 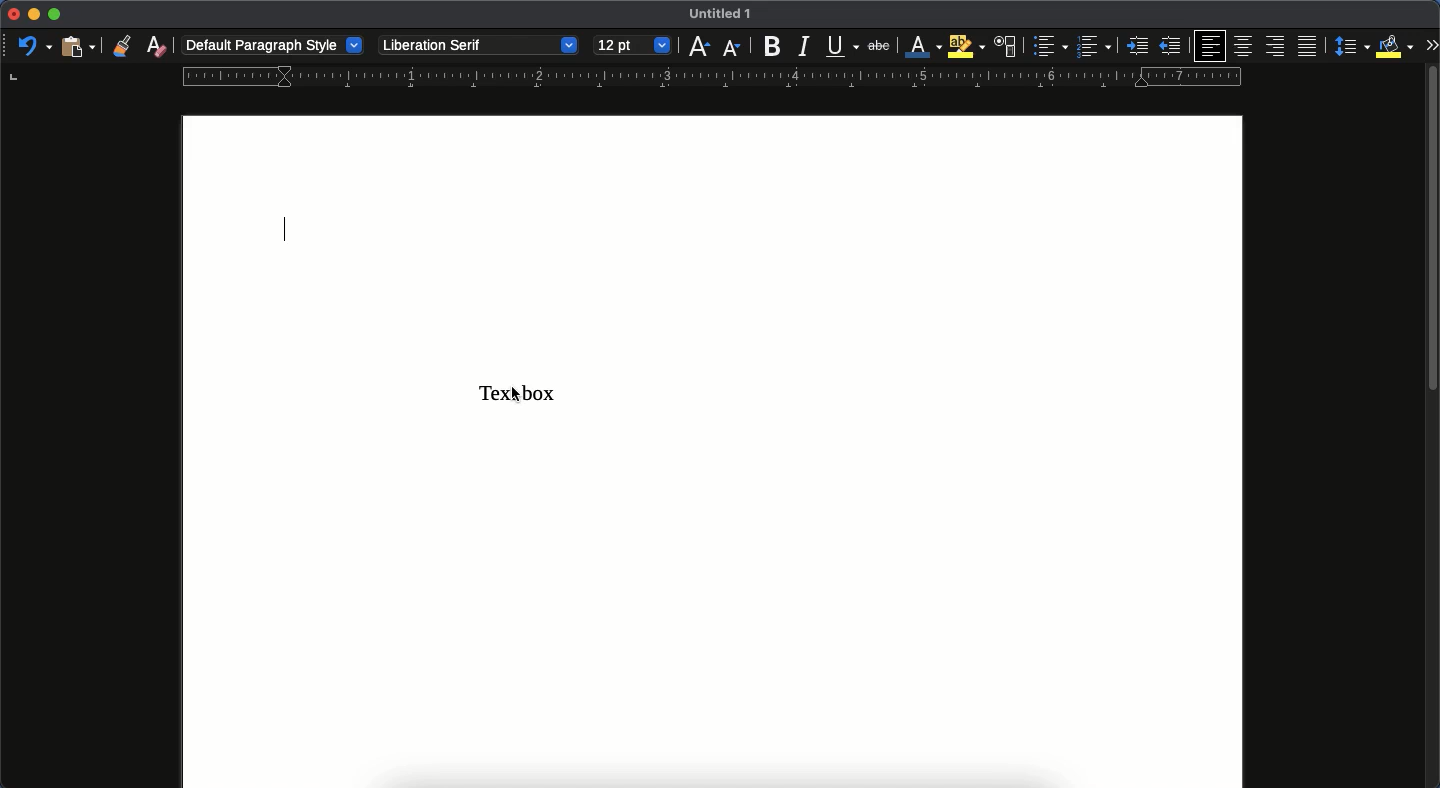 I want to click on 12 pt - font size, so click(x=634, y=44).